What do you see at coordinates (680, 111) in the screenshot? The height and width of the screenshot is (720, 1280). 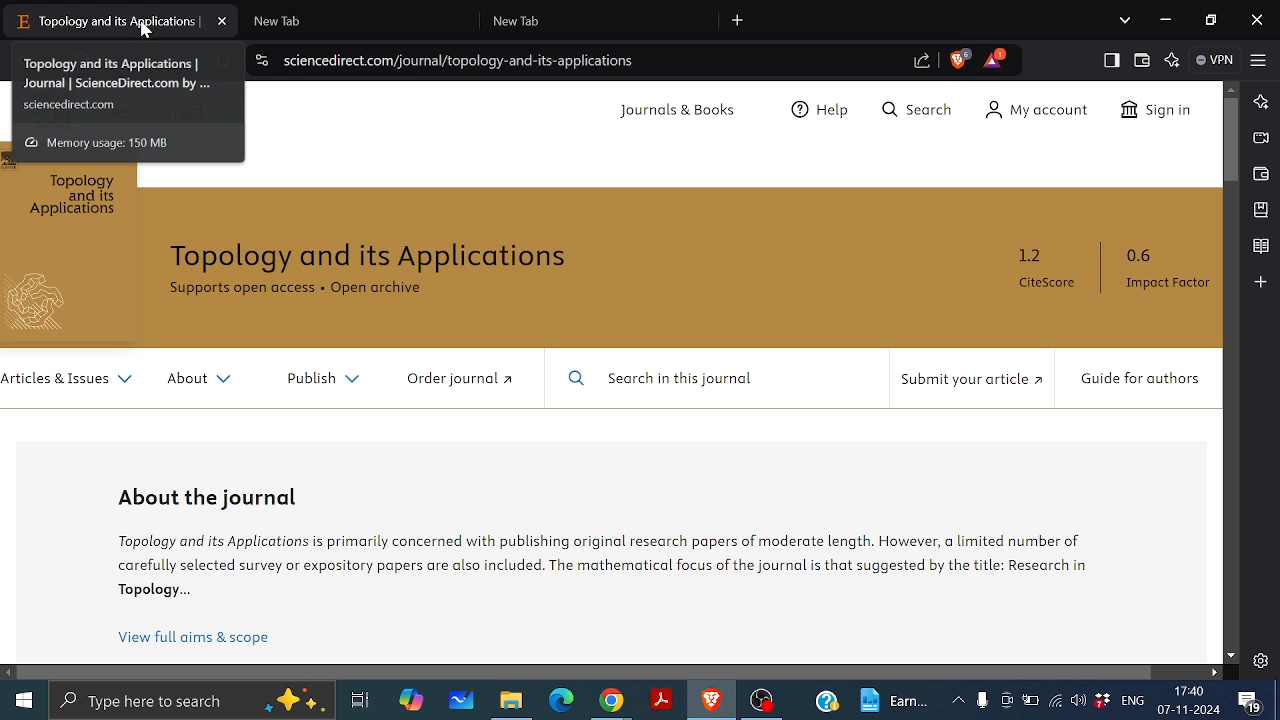 I see `Journals & Books` at bounding box center [680, 111].